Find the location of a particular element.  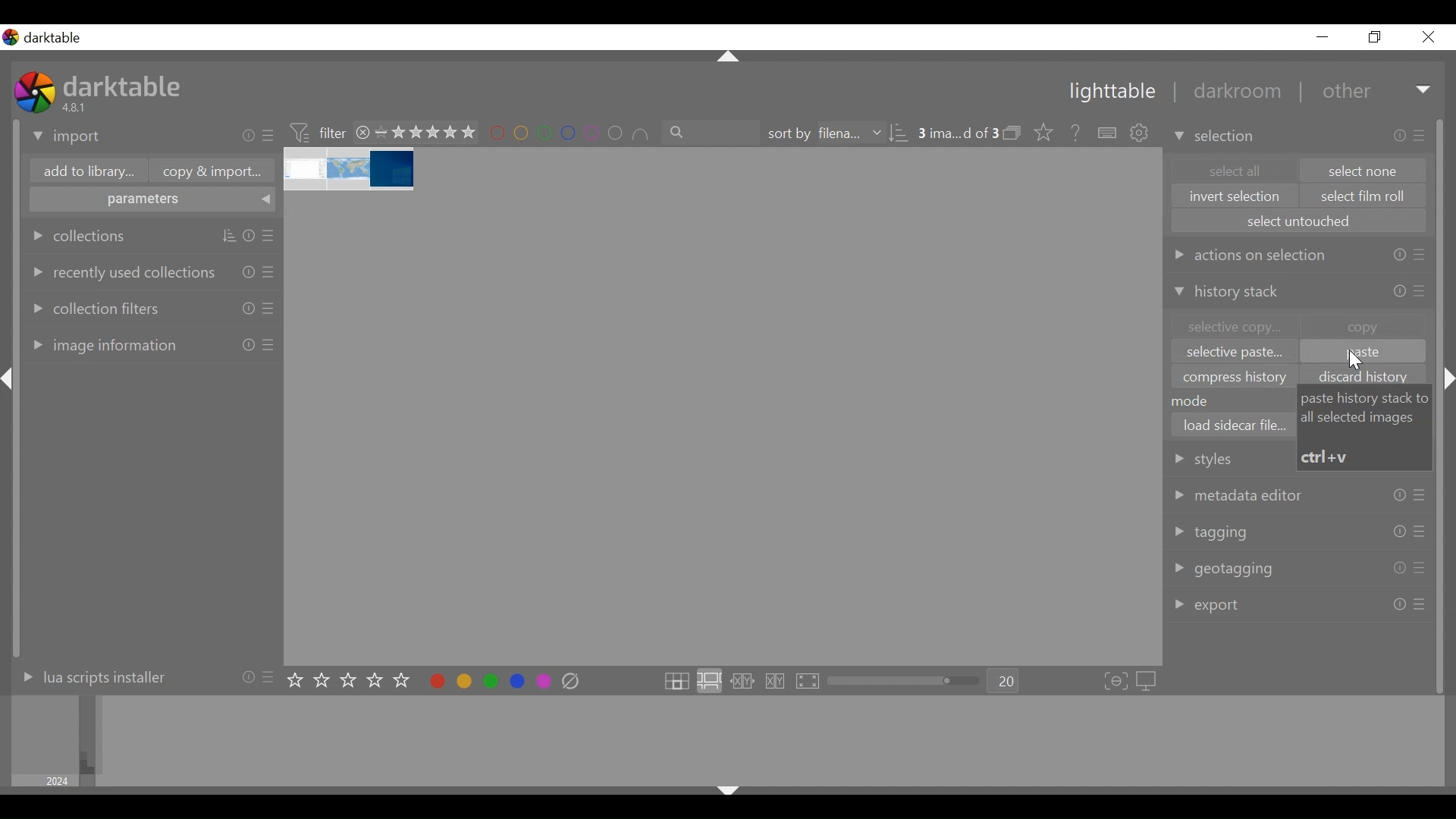

20 is located at coordinates (1004, 682).